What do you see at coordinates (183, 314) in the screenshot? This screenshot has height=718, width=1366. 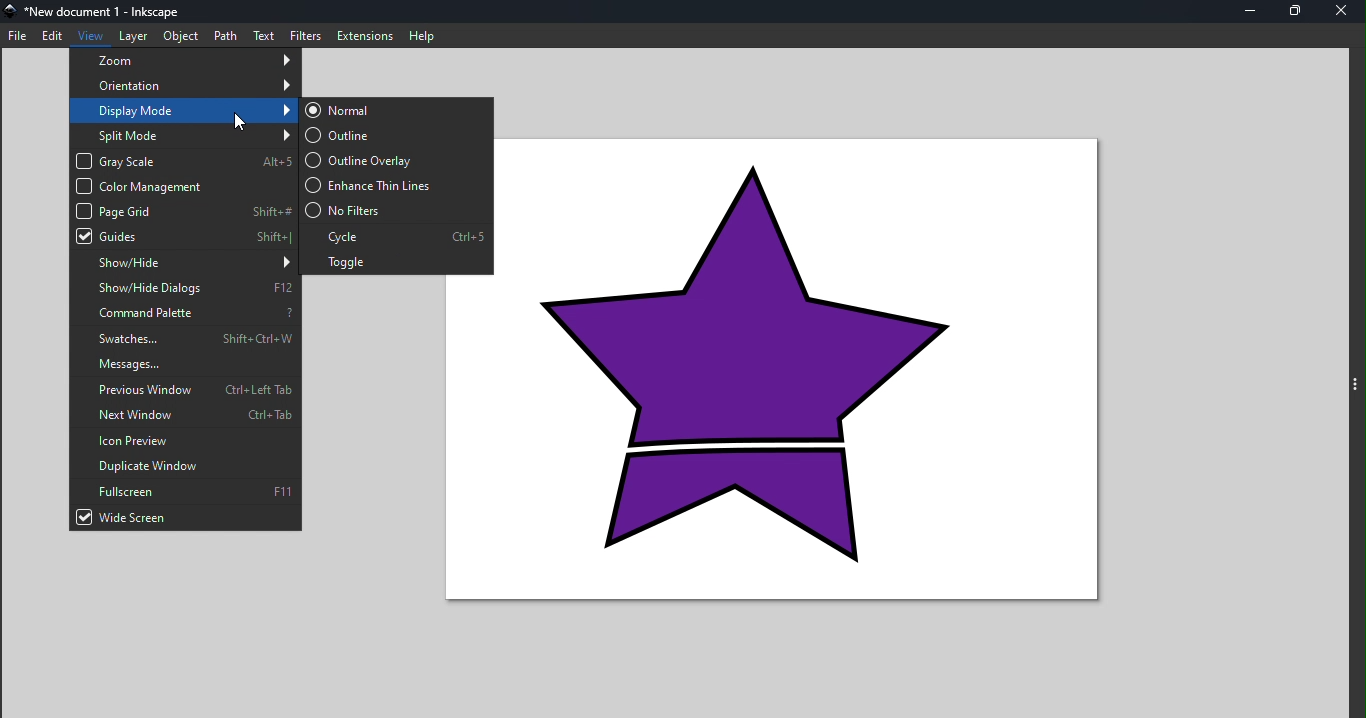 I see `Command palette` at bounding box center [183, 314].